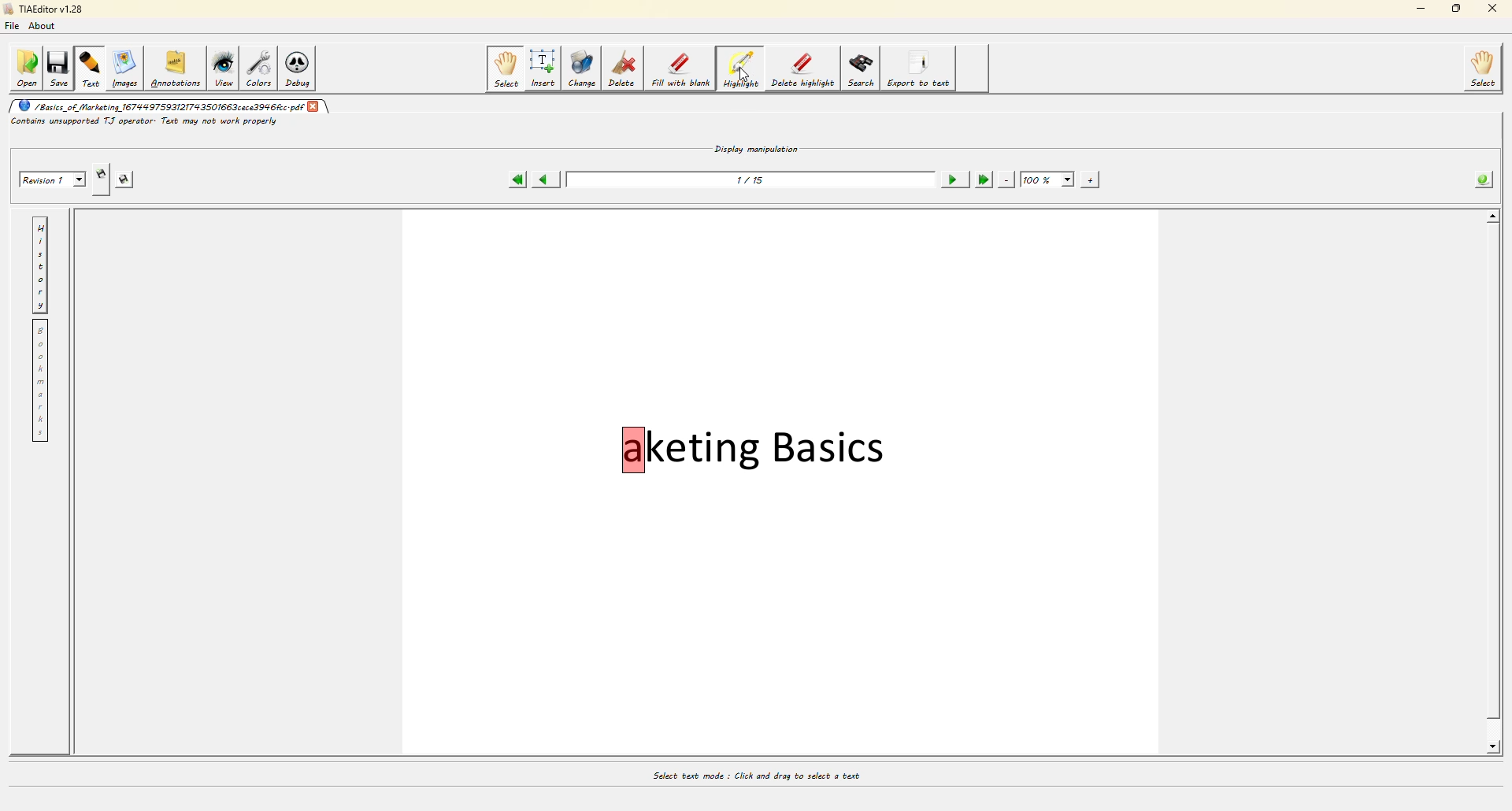  What do you see at coordinates (26, 68) in the screenshot?
I see `open` at bounding box center [26, 68].